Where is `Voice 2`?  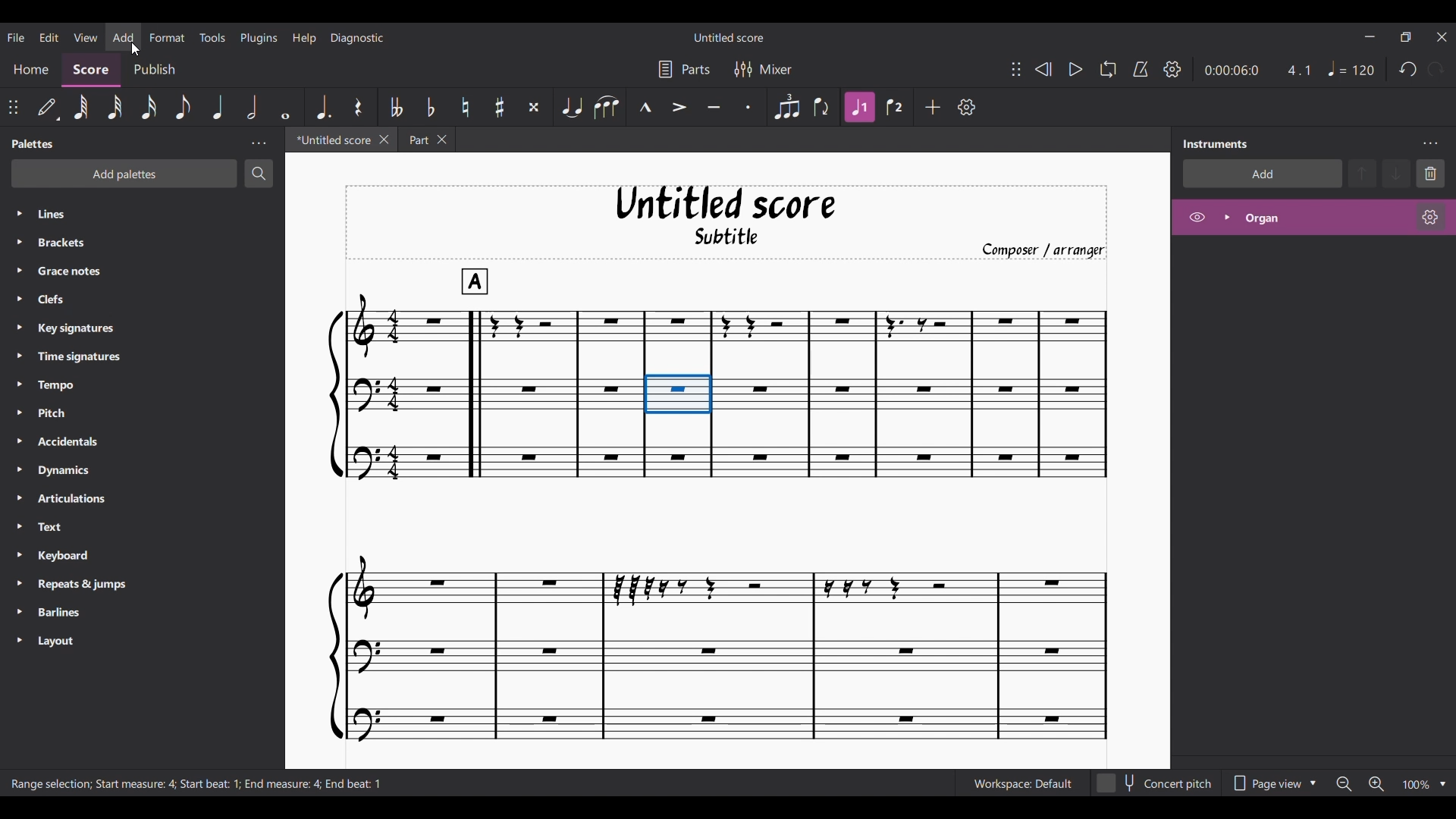 Voice 2 is located at coordinates (896, 107).